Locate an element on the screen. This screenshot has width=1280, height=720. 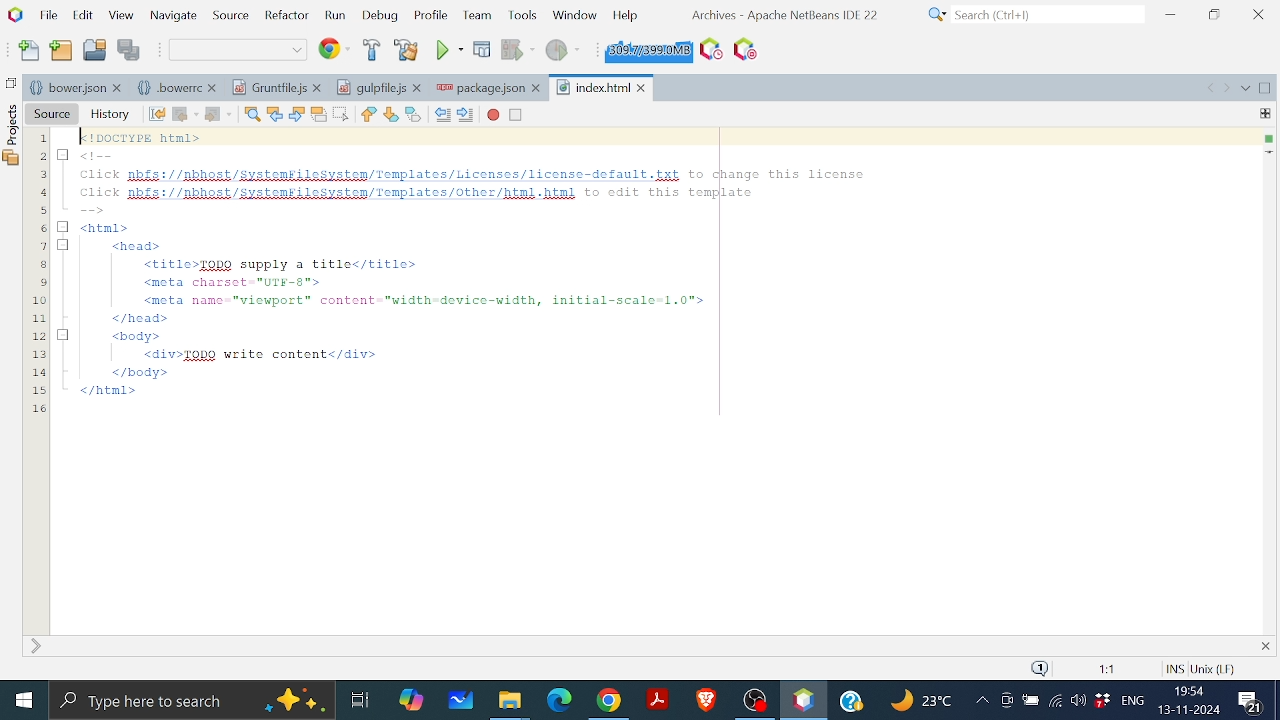
Toggle rectangular selection is located at coordinates (341, 113).